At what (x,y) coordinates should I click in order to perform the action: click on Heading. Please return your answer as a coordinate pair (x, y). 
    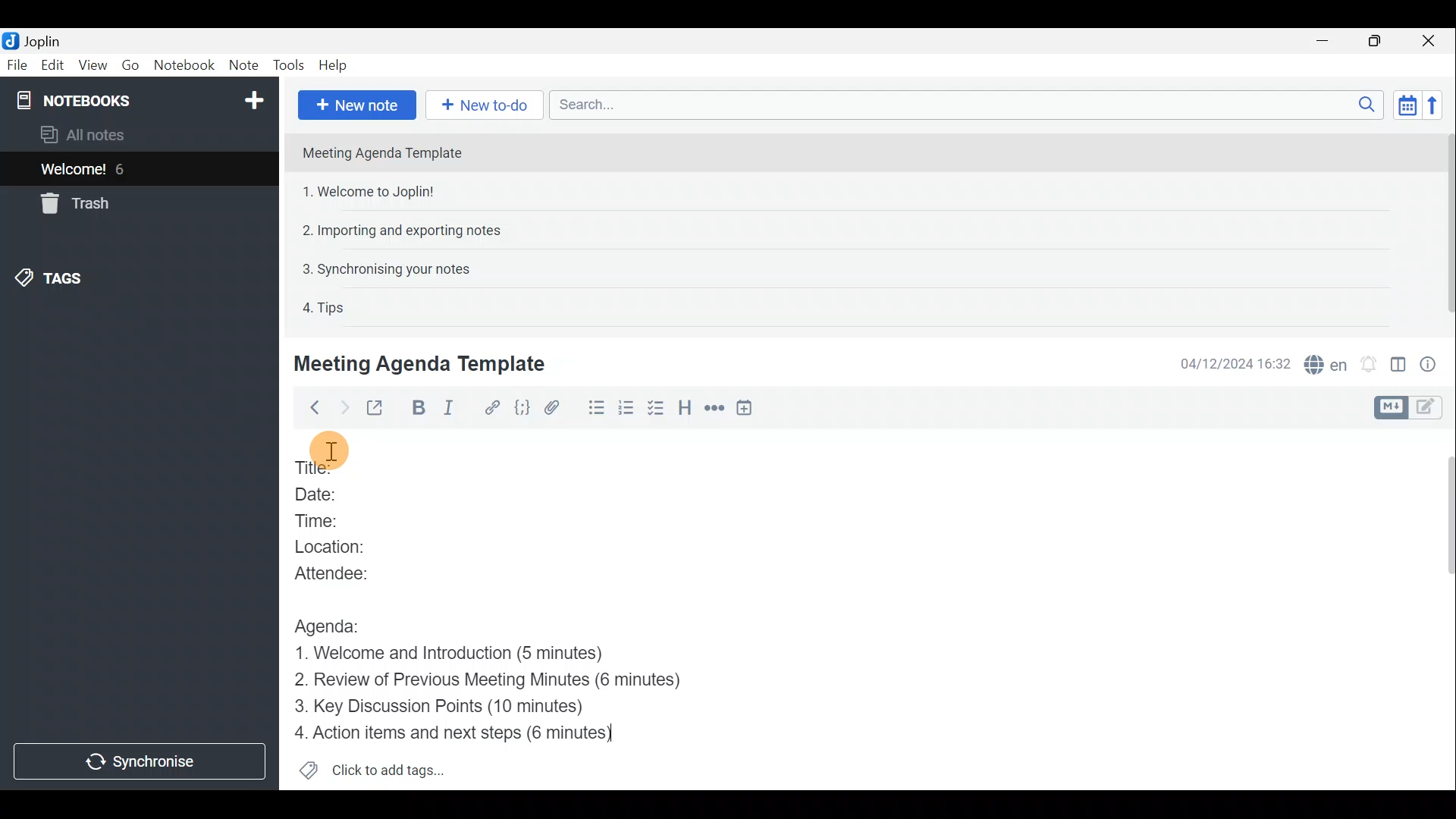
    Looking at the image, I should click on (685, 410).